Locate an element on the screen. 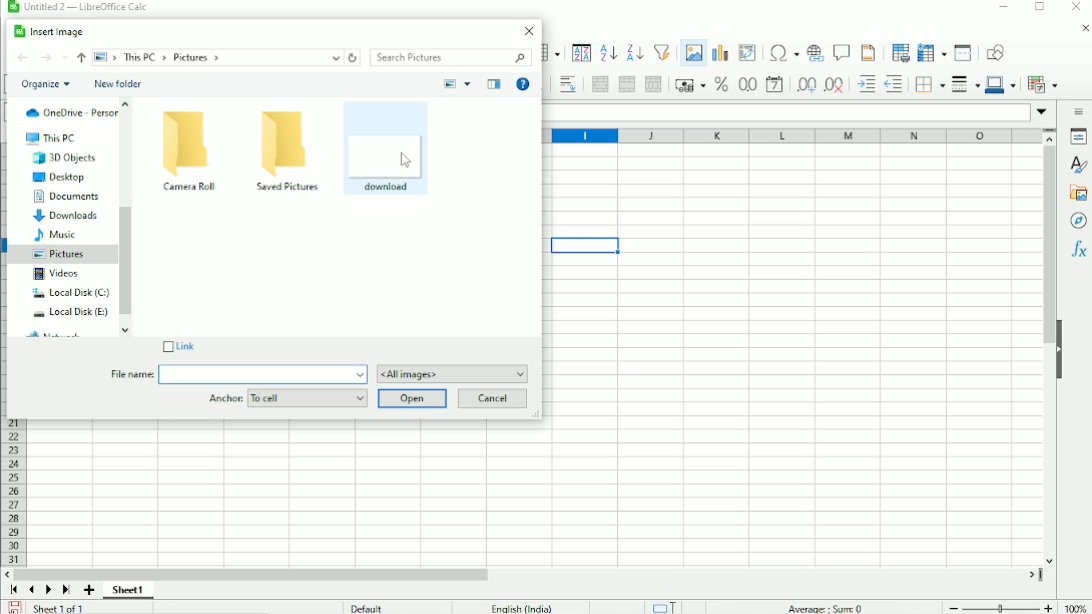 The width and height of the screenshot is (1092, 614). Insert chart is located at coordinates (719, 49).